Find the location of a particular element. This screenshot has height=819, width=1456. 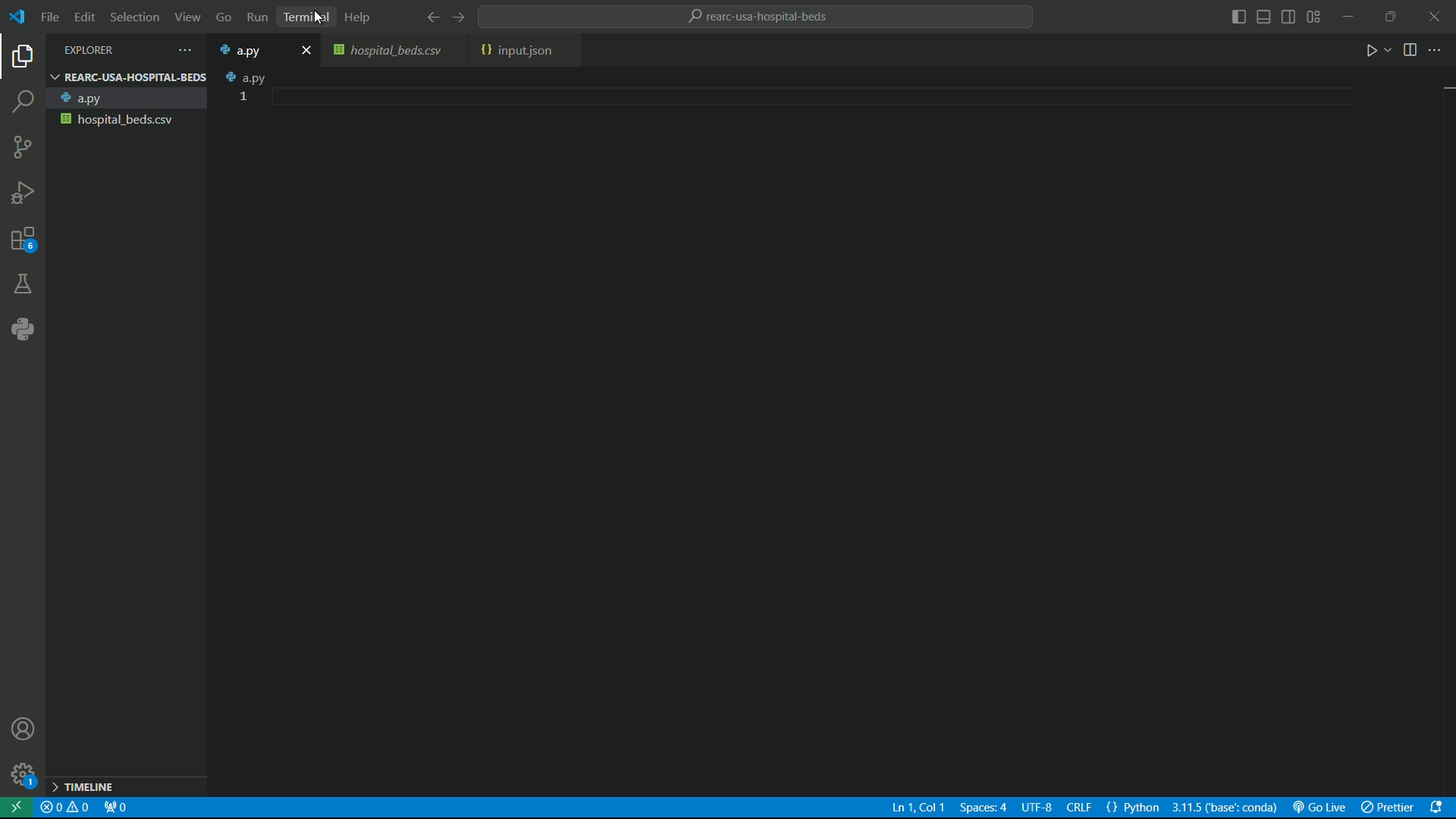

toggle panel is located at coordinates (1265, 17).